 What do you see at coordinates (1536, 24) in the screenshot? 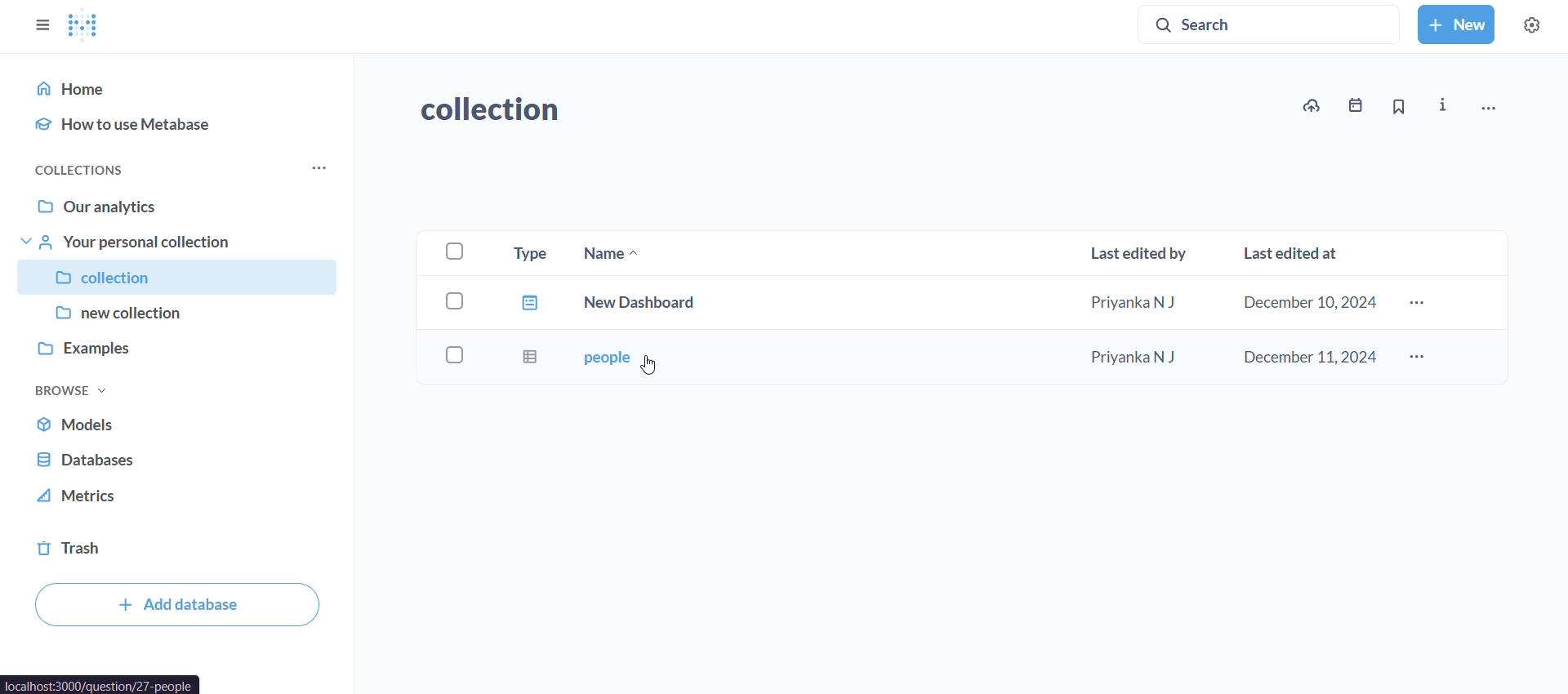
I see `settings` at bounding box center [1536, 24].